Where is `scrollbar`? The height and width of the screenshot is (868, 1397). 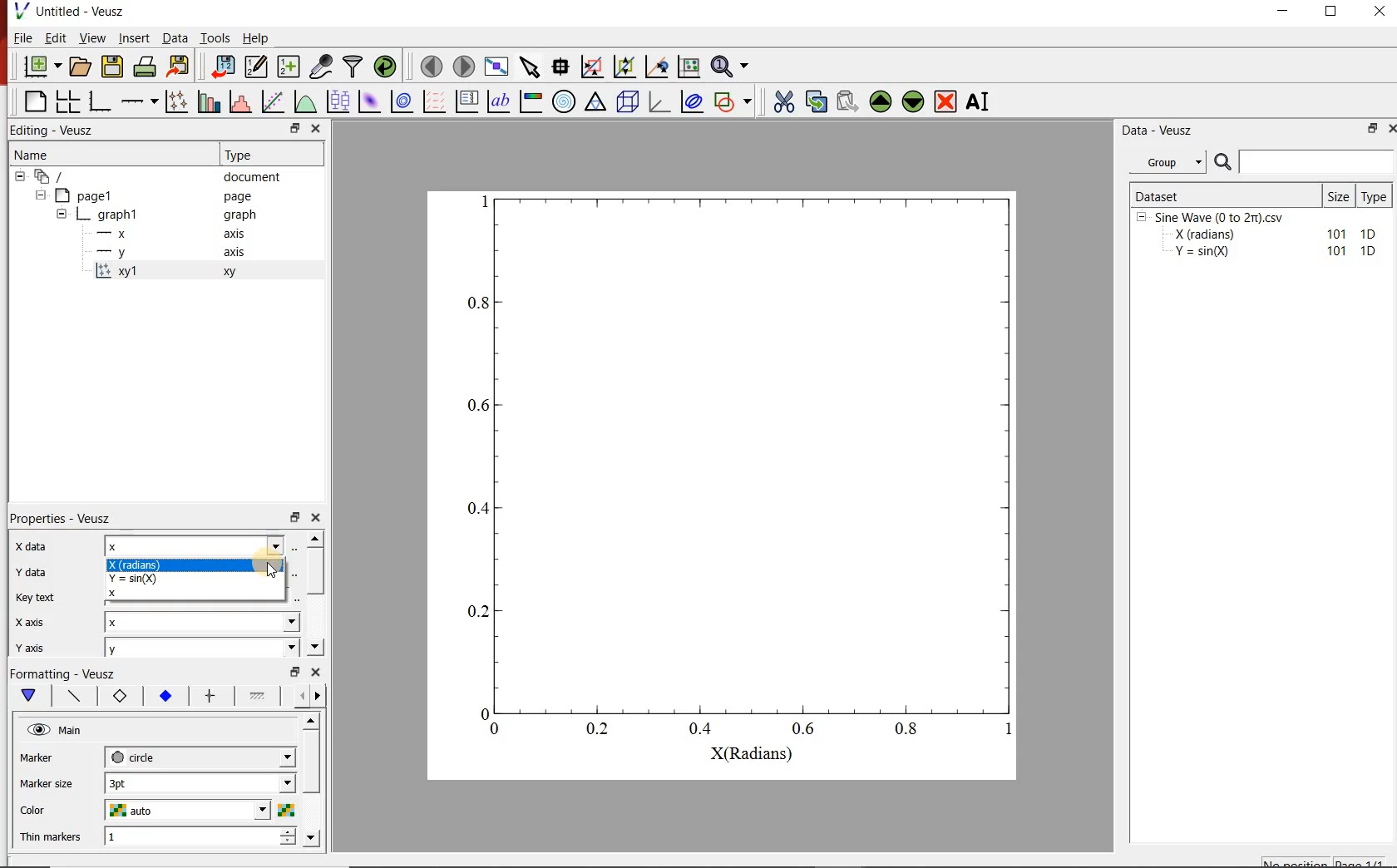 scrollbar is located at coordinates (315, 572).